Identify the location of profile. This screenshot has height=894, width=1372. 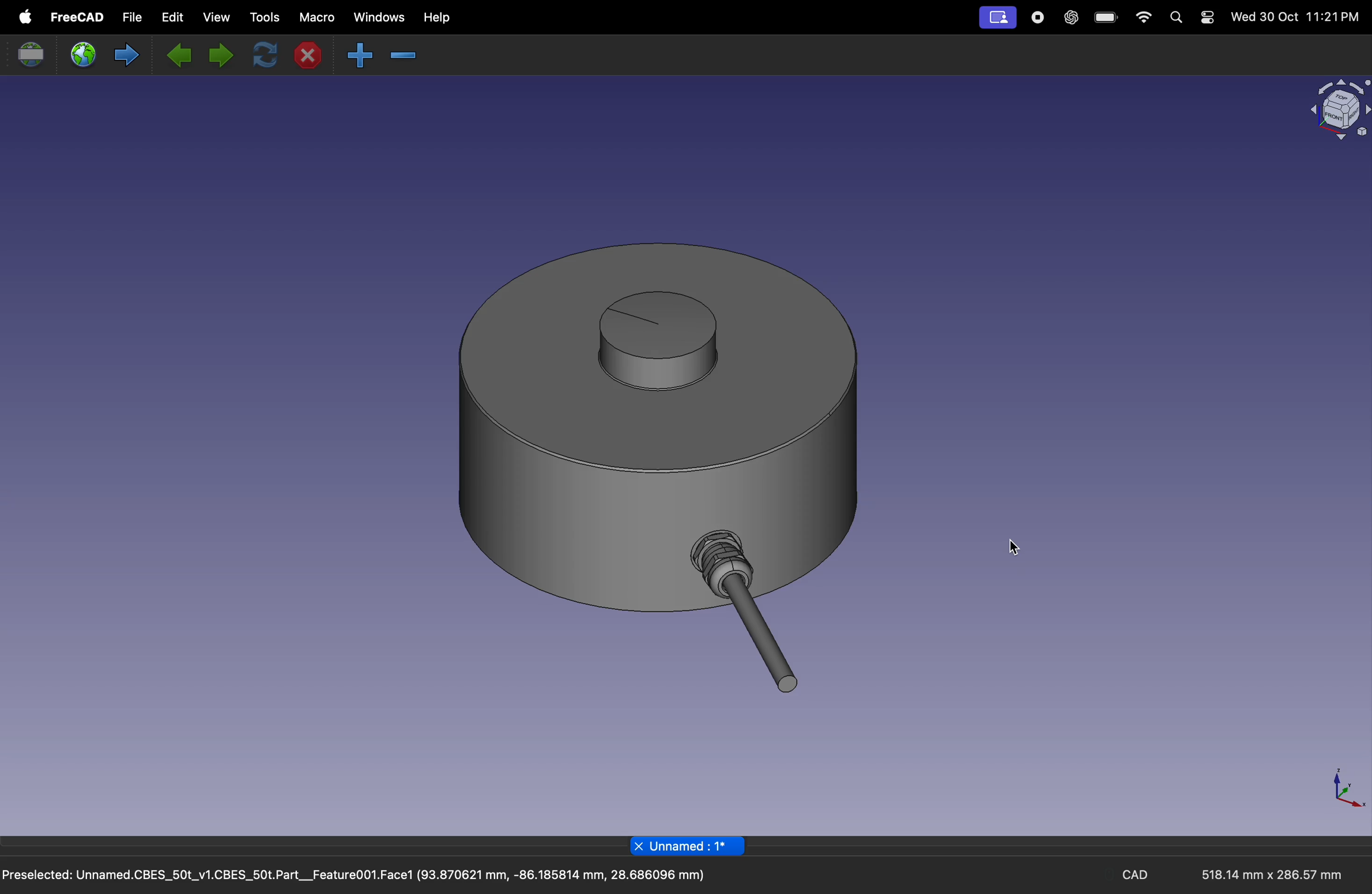
(998, 18).